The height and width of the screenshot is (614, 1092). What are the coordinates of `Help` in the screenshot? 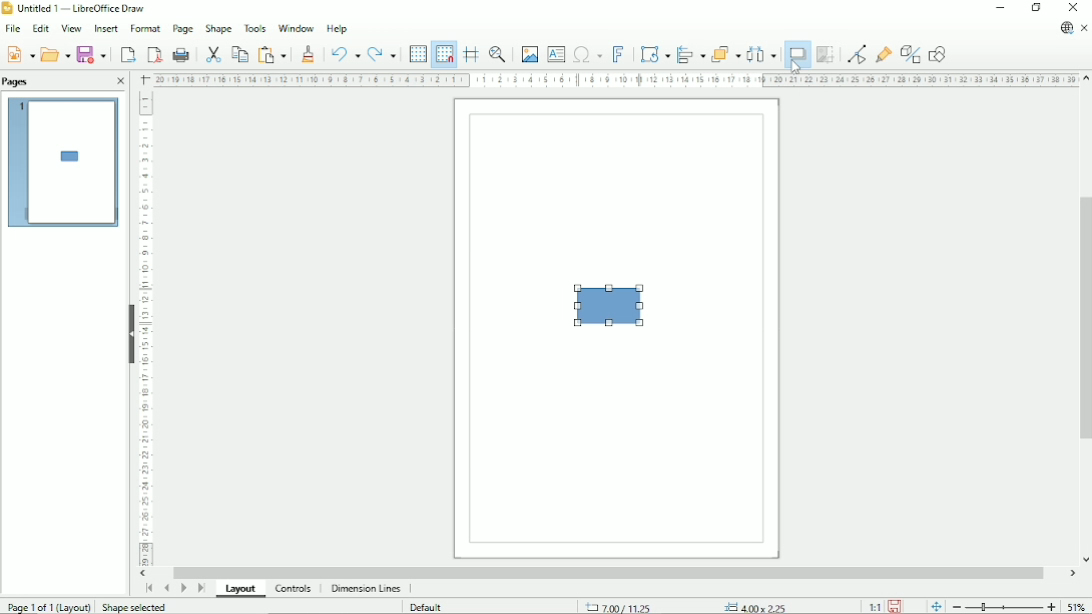 It's located at (337, 28).